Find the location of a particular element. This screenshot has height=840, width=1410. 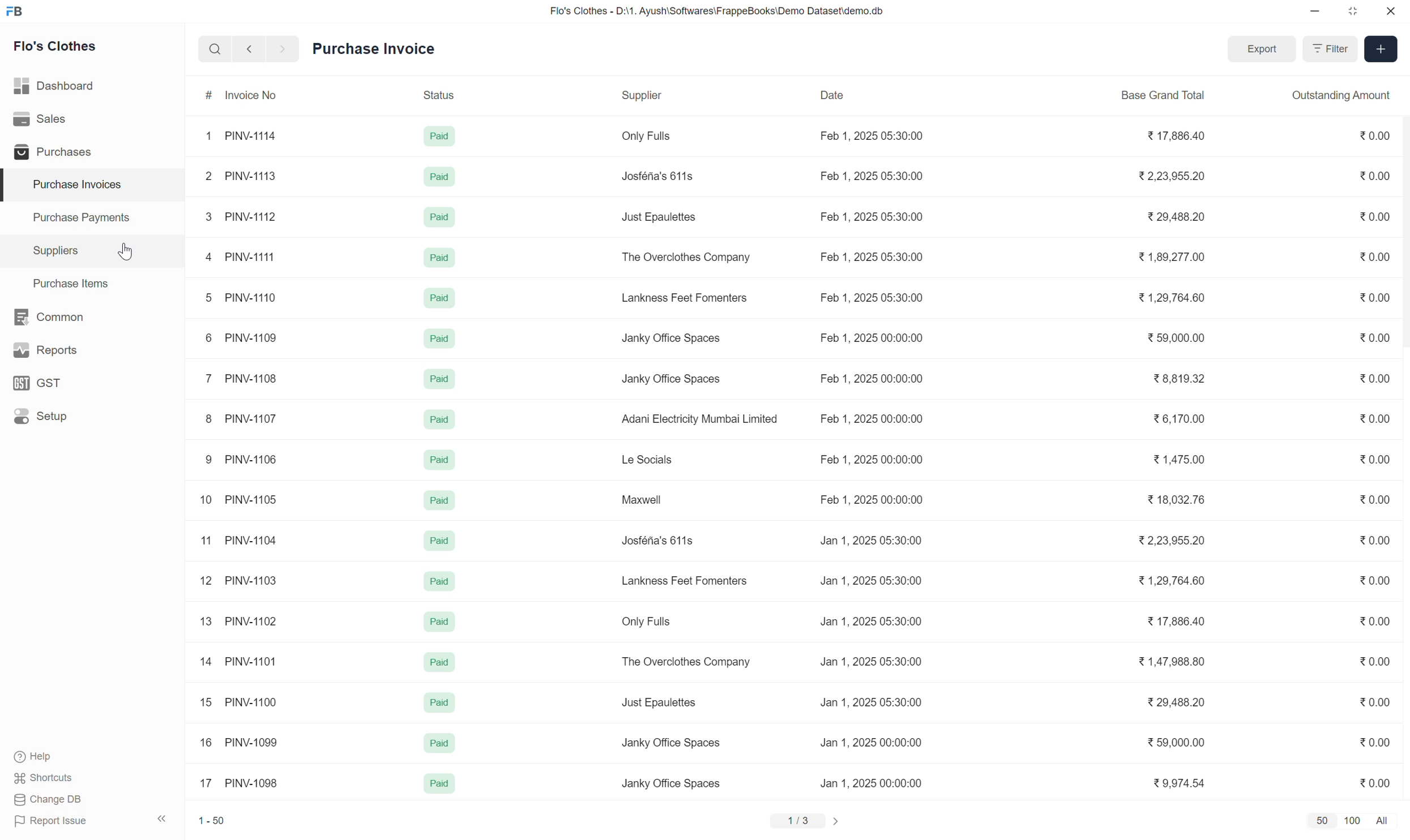

2 PINV-1113 is located at coordinates (240, 177).